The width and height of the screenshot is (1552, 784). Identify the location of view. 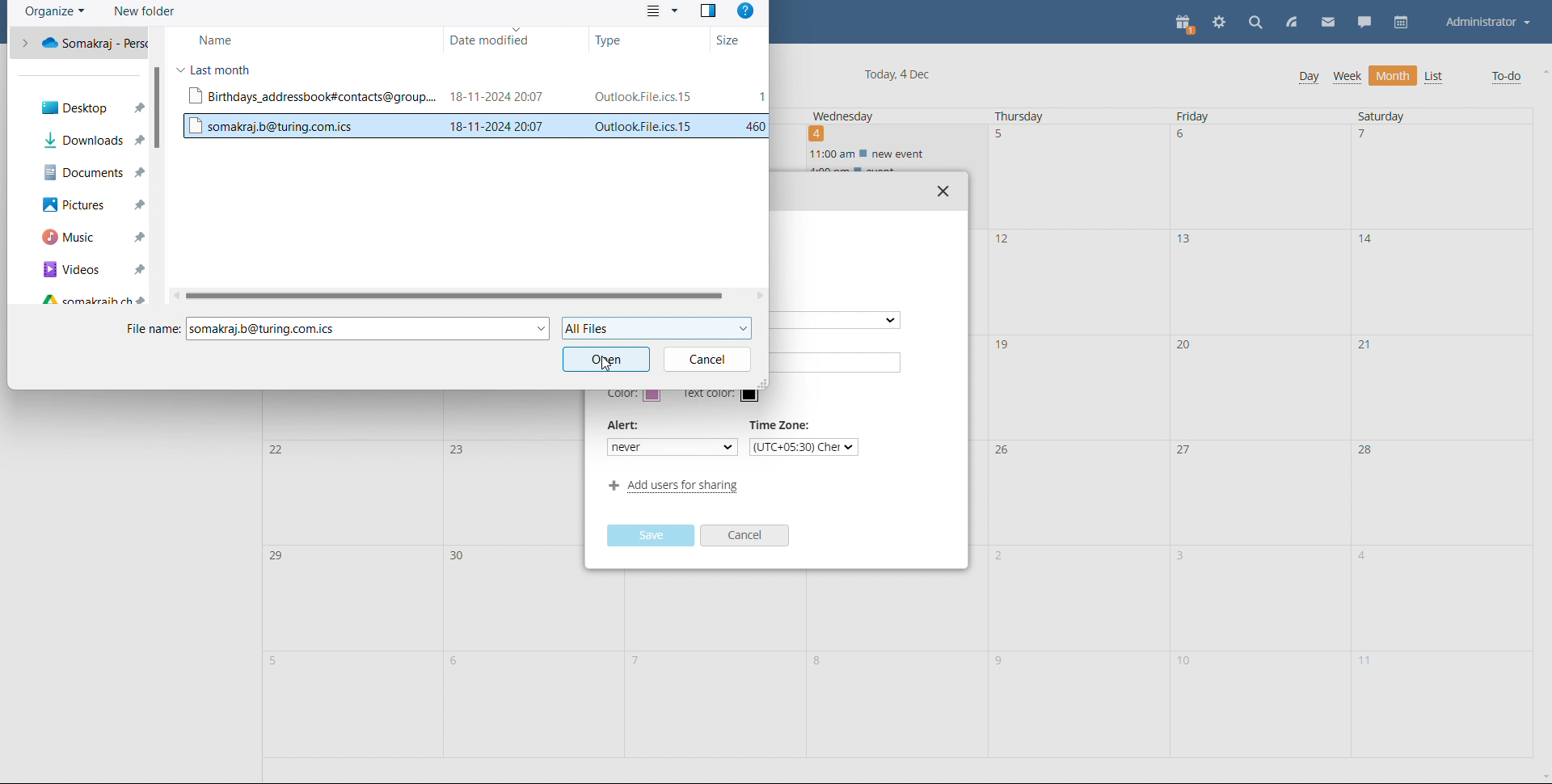
(661, 11).